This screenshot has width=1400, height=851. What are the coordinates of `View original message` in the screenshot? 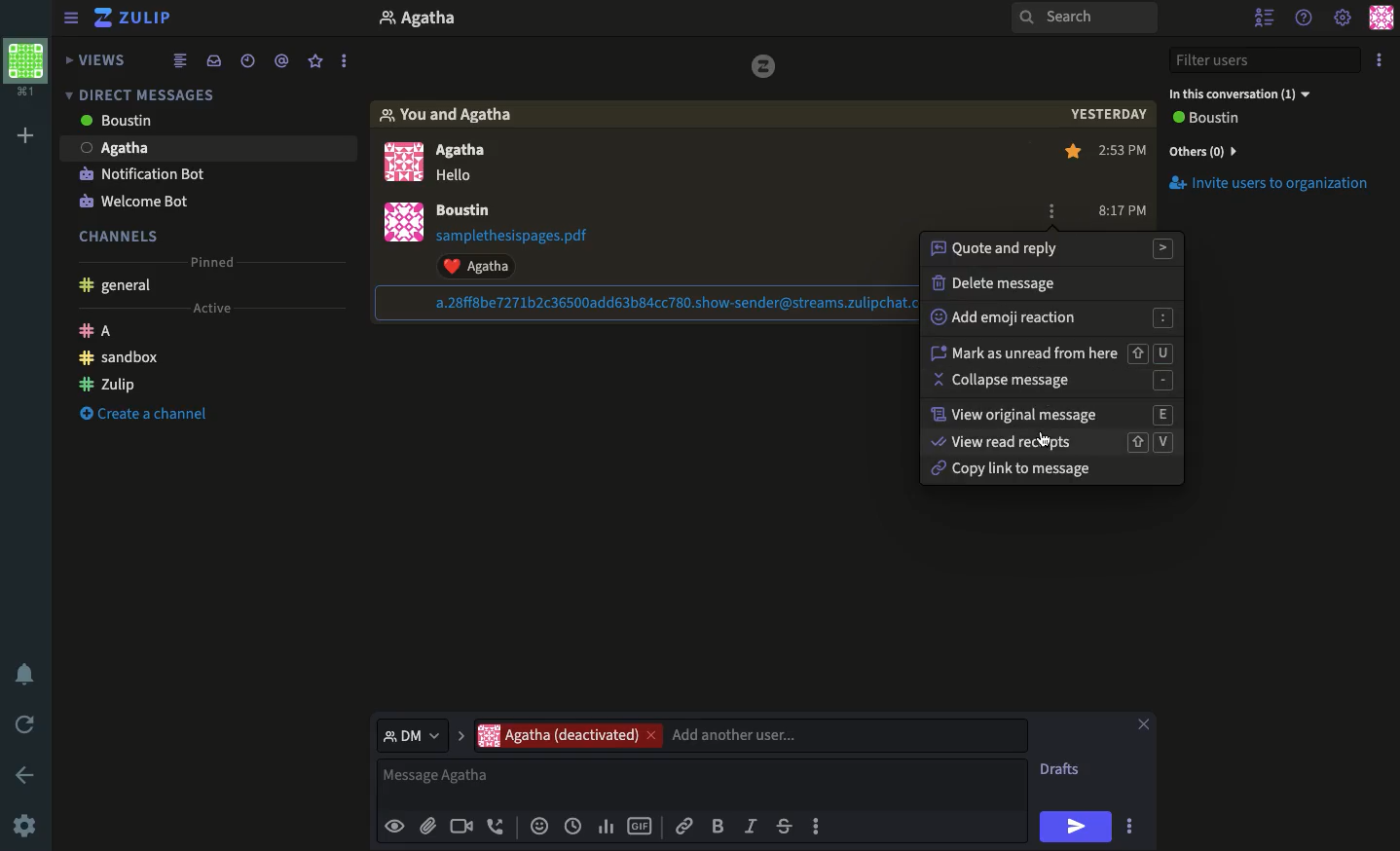 It's located at (1058, 410).